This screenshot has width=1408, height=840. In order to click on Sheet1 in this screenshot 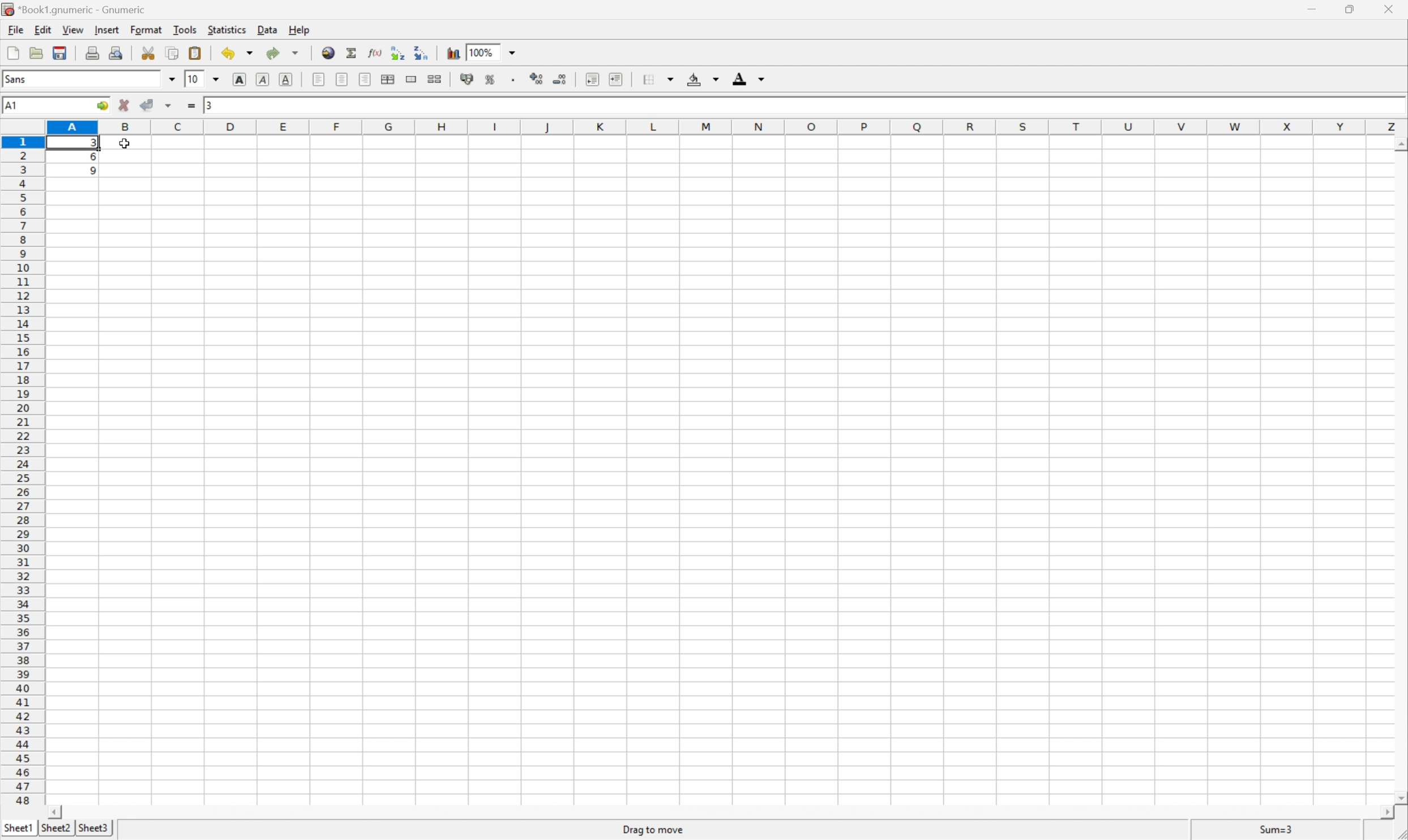, I will do `click(18, 828)`.